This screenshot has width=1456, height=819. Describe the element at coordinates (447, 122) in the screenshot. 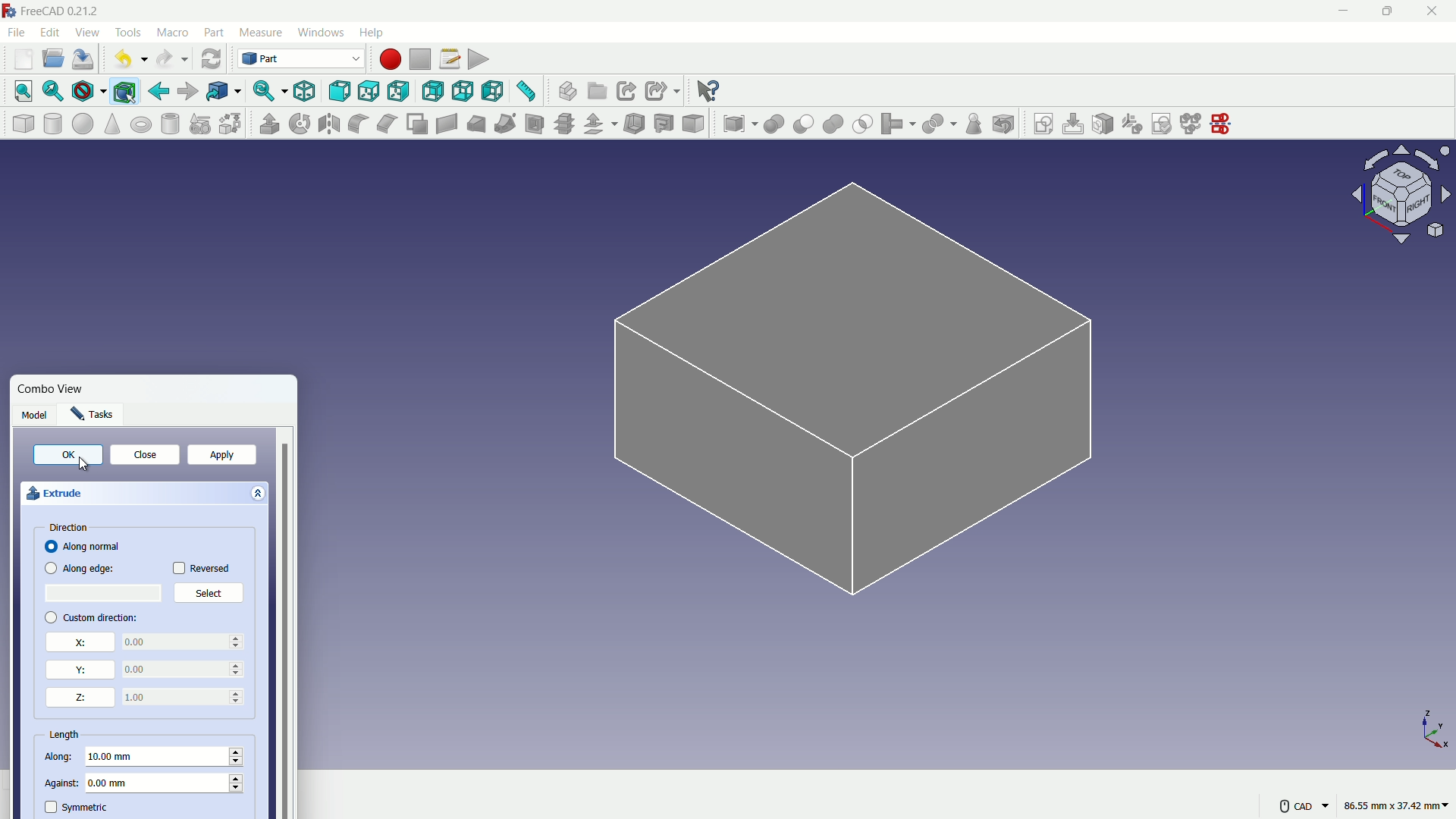

I see `create ruled surface` at that location.